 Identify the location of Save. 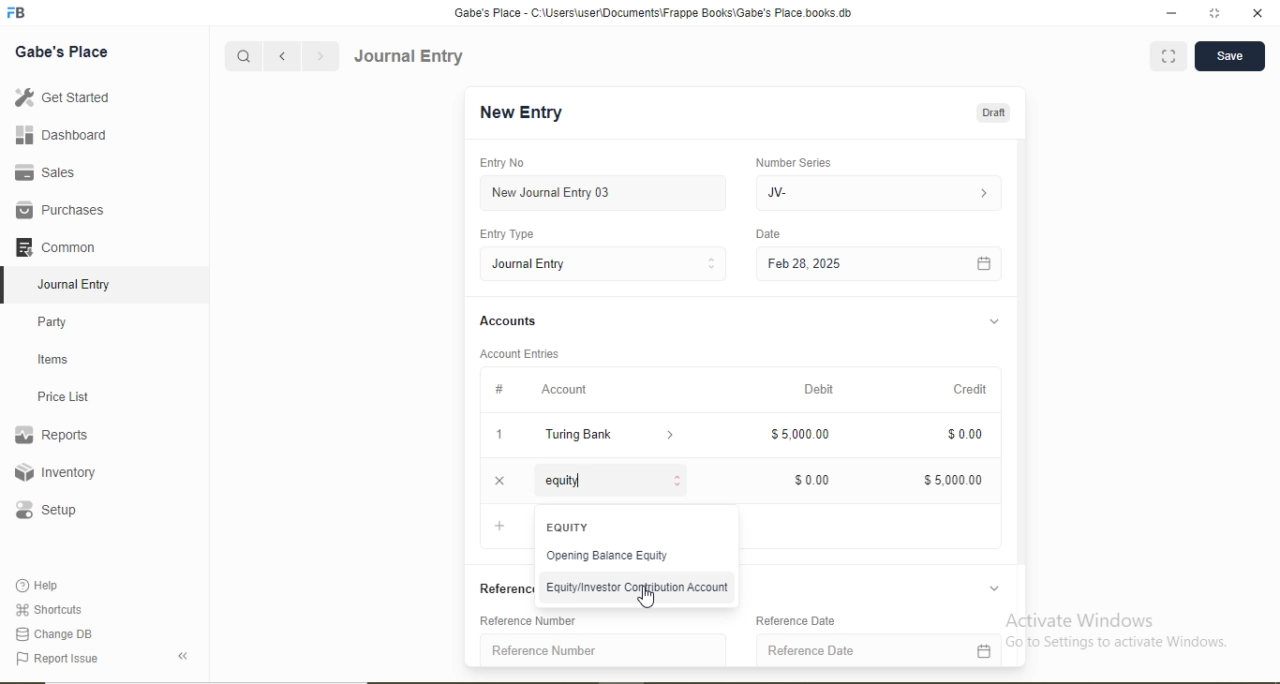
(1229, 54).